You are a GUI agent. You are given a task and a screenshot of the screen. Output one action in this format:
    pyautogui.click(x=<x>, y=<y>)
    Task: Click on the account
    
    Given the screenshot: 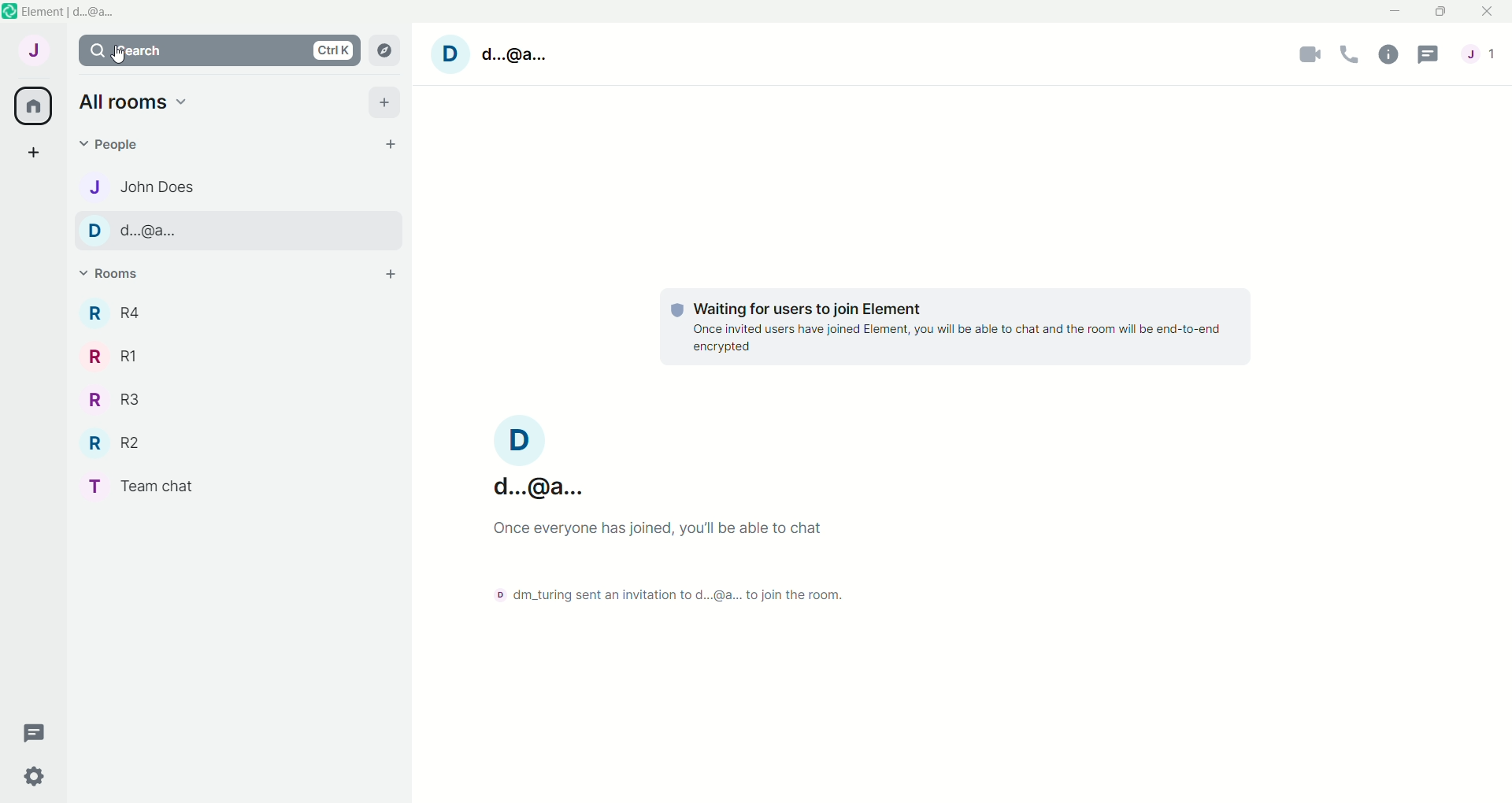 What is the action you would take?
    pyautogui.click(x=34, y=53)
    